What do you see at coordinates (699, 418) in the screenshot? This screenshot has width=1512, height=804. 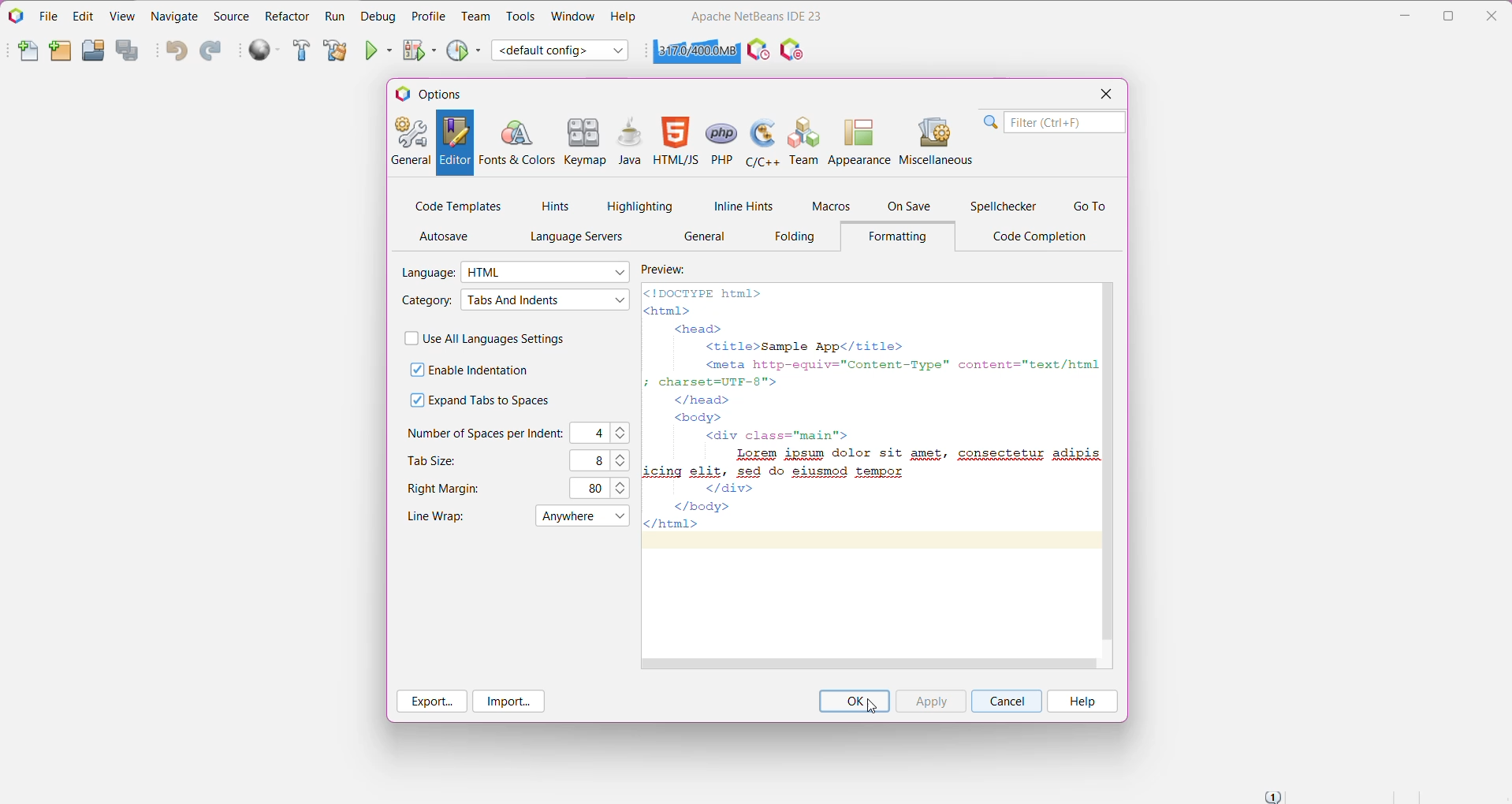 I see `<body>` at bounding box center [699, 418].